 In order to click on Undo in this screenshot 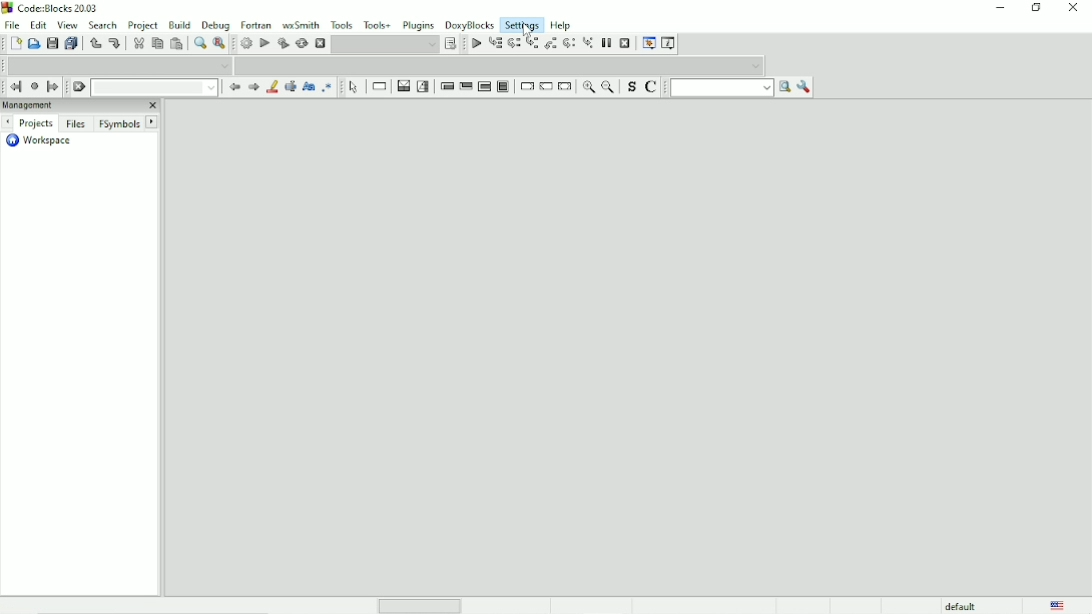, I will do `click(94, 43)`.